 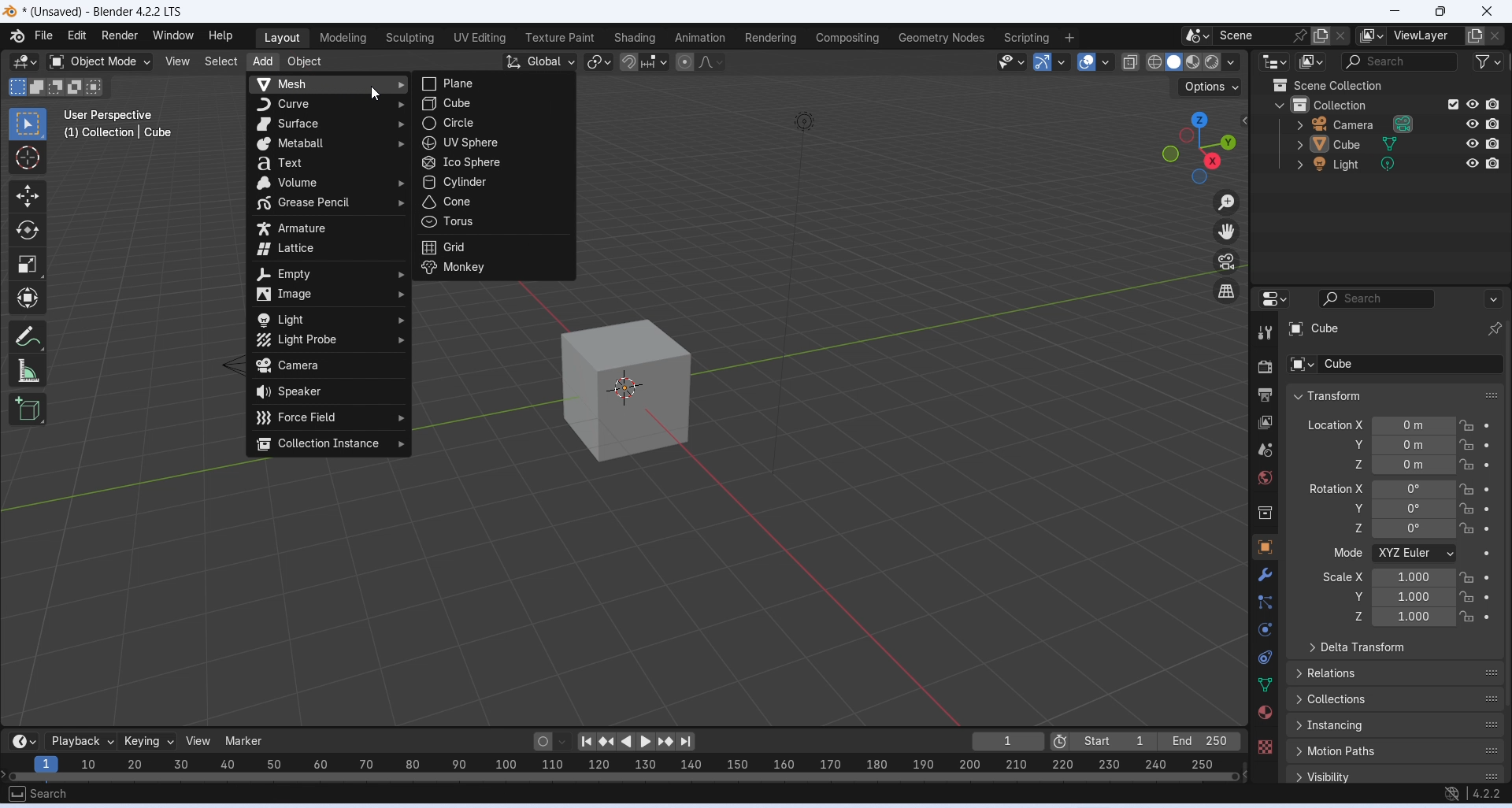 I want to click on View, so click(x=177, y=61).